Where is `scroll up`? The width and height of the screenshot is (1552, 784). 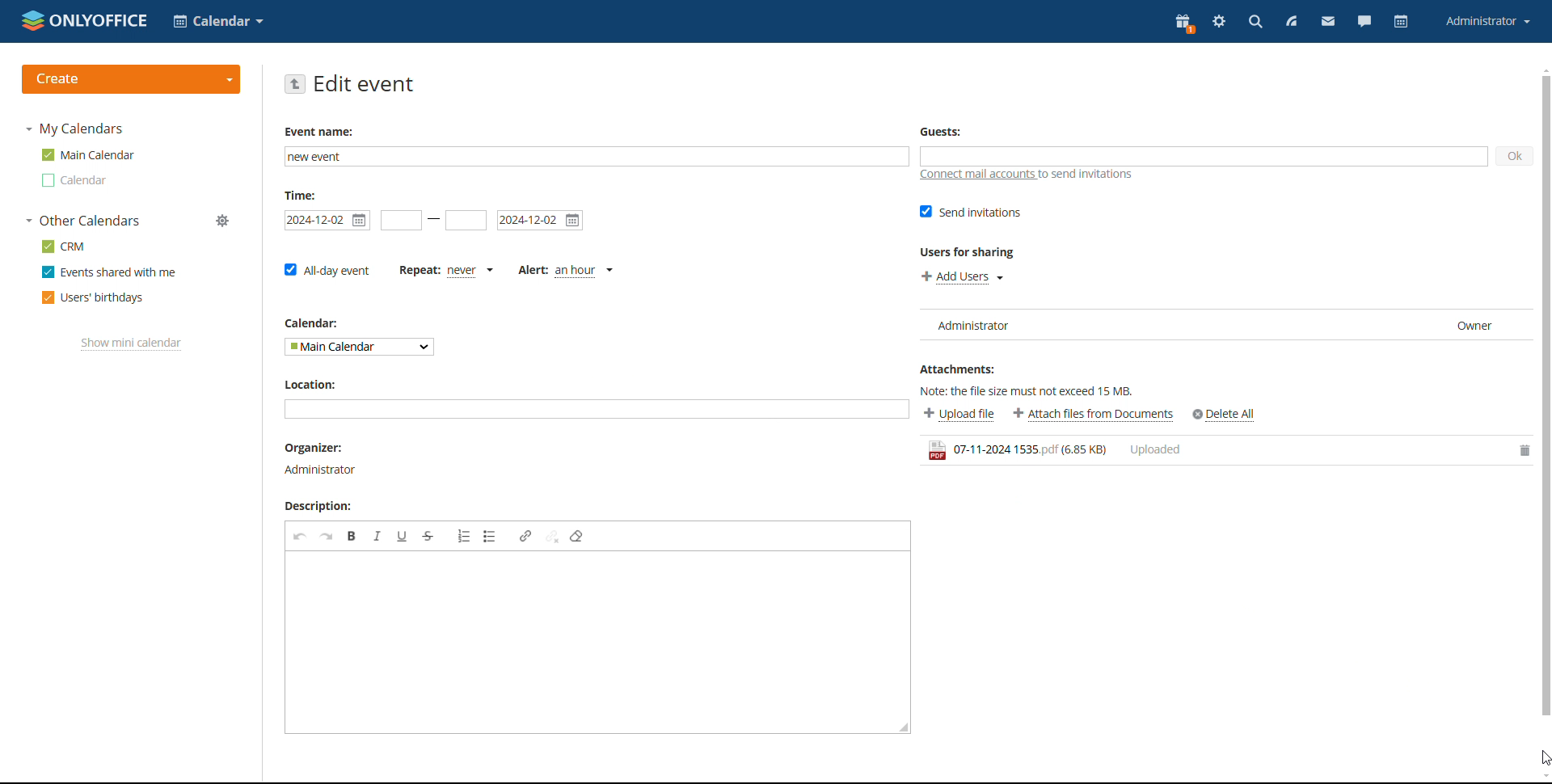 scroll up is located at coordinates (1542, 69).